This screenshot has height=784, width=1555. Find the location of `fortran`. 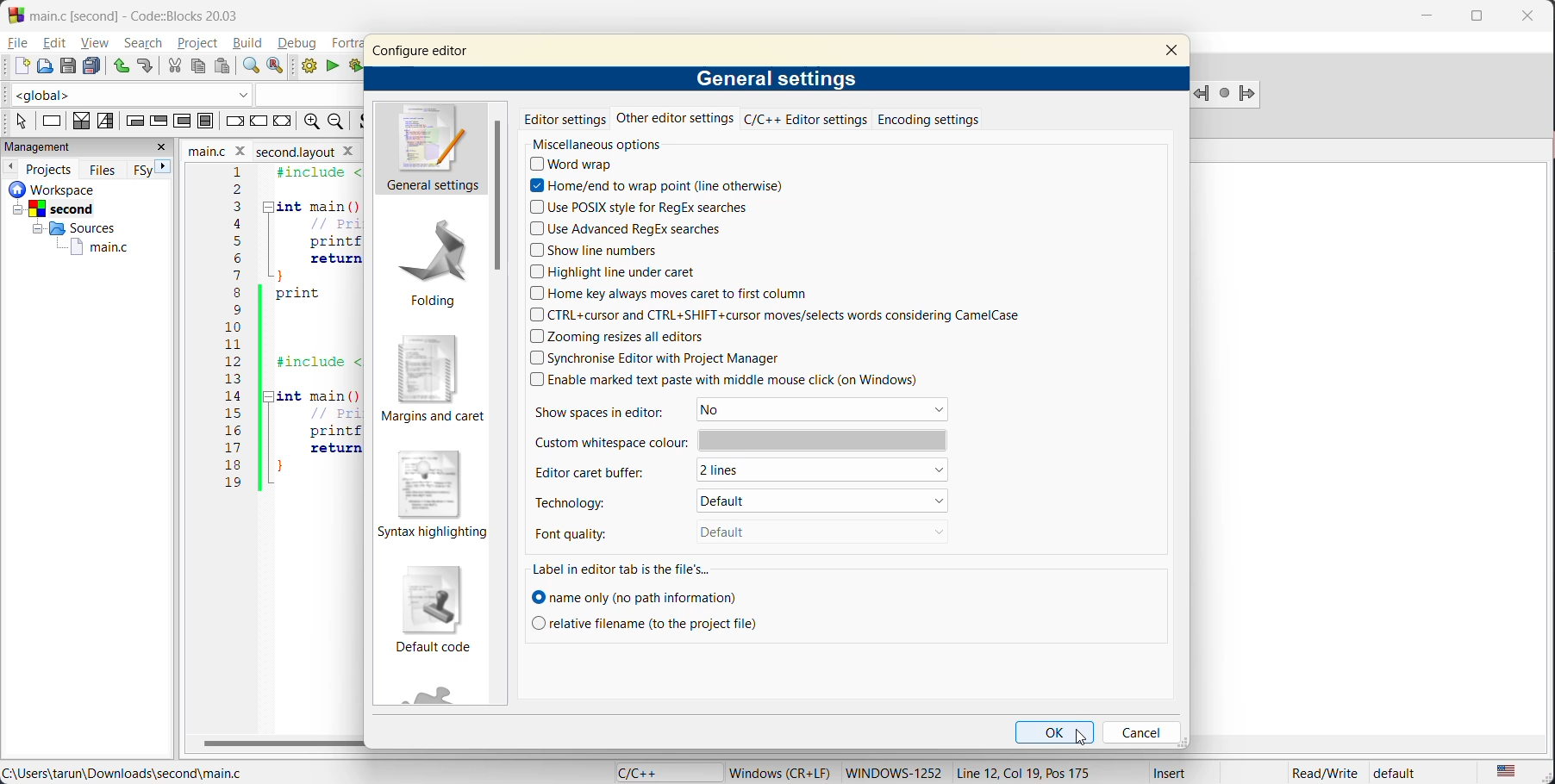

fortran is located at coordinates (341, 43).